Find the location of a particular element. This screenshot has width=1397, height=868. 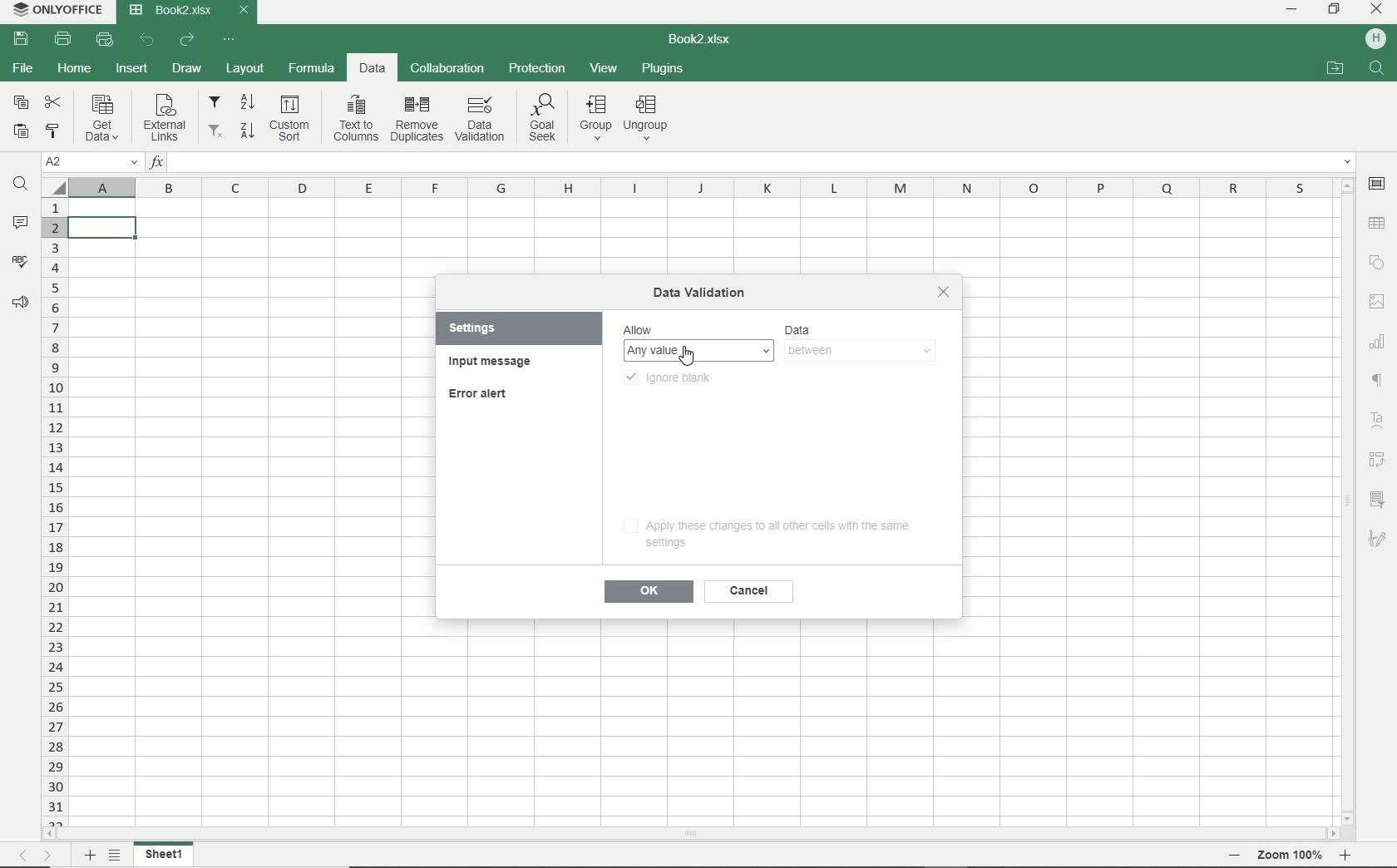

FEEDBACK & SUPPORT is located at coordinates (21, 303).